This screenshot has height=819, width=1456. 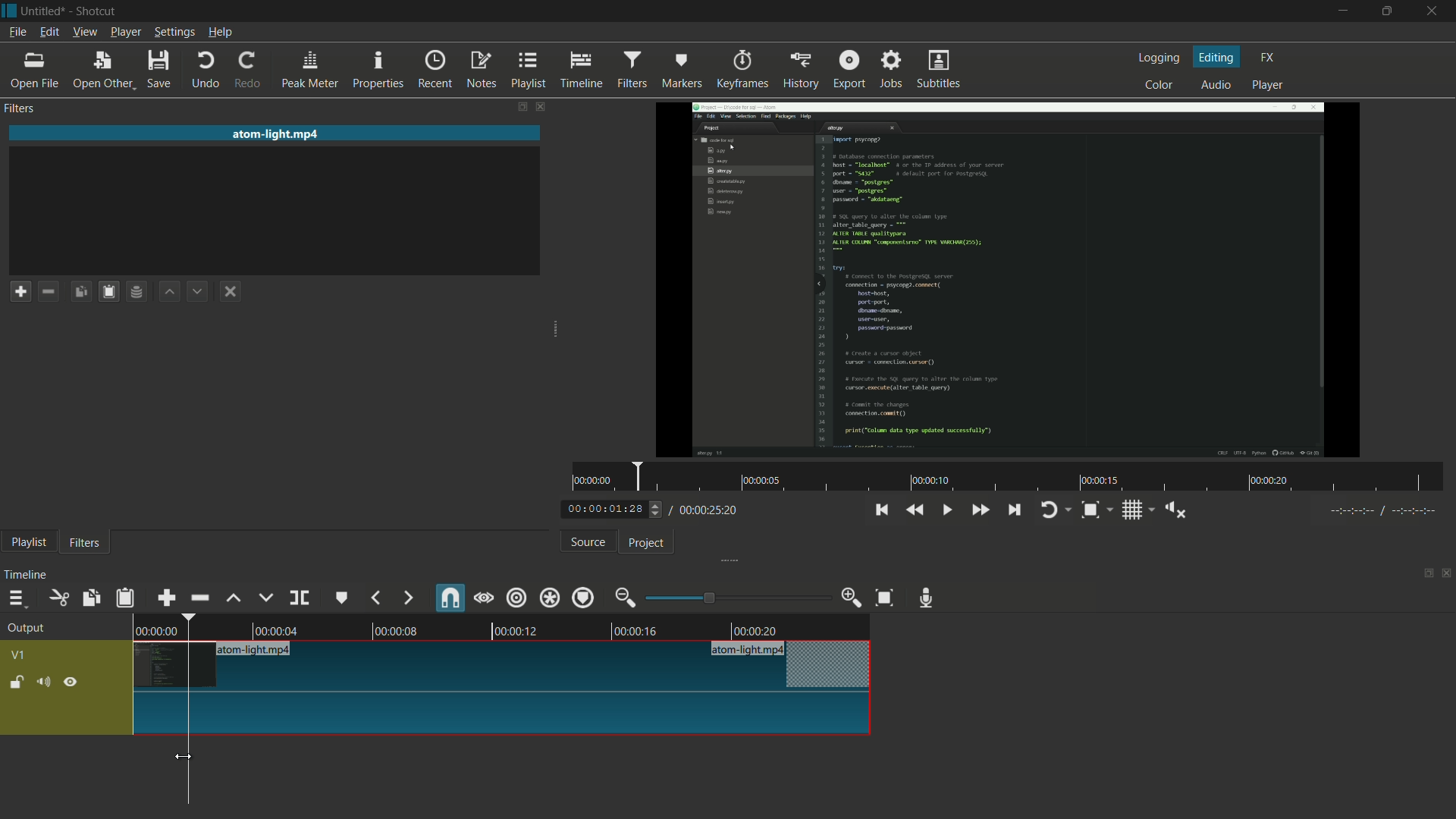 What do you see at coordinates (28, 544) in the screenshot?
I see `playlist` at bounding box center [28, 544].